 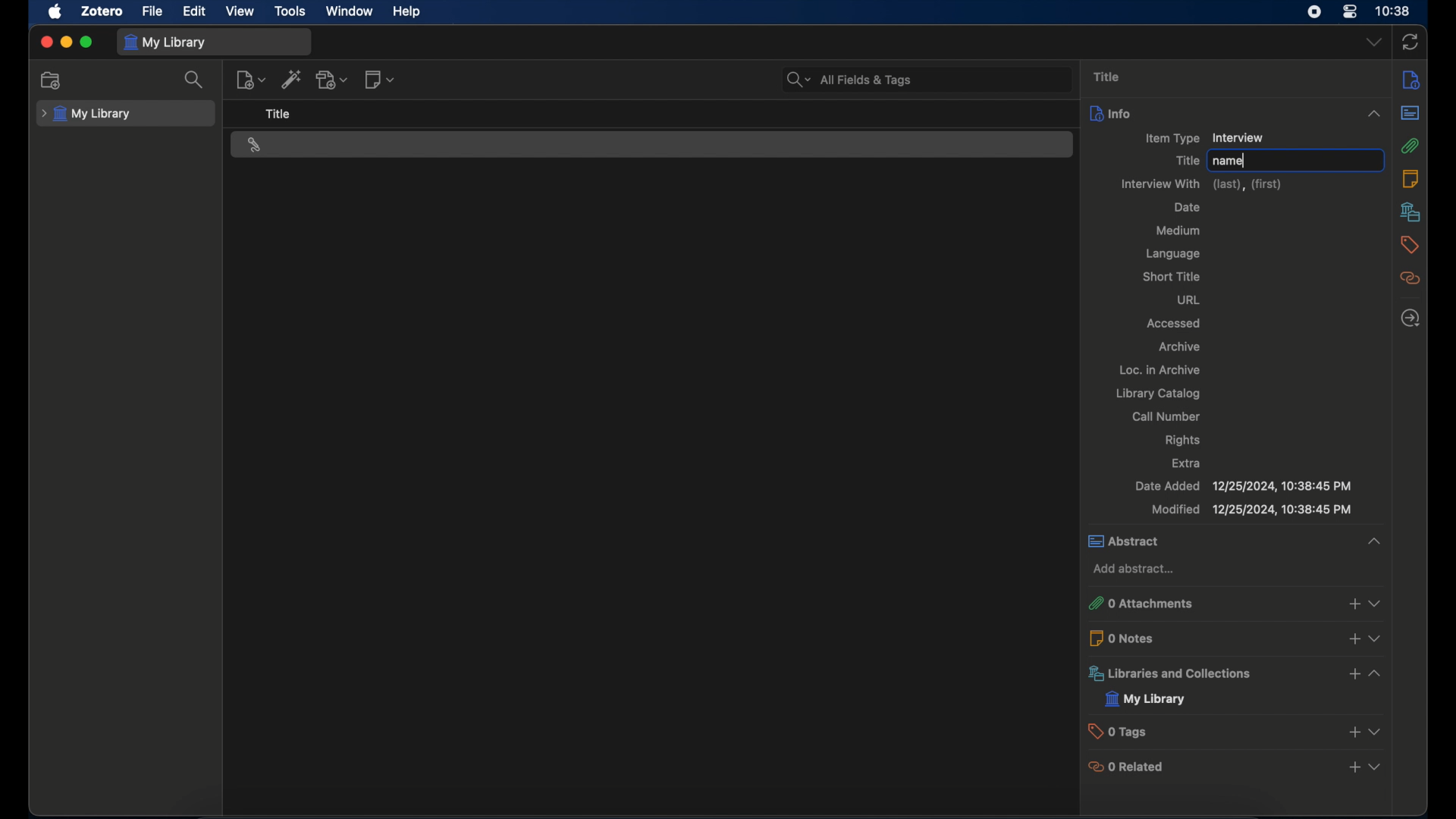 What do you see at coordinates (1142, 604) in the screenshot?
I see `0 attachments` at bounding box center [1142, 604].